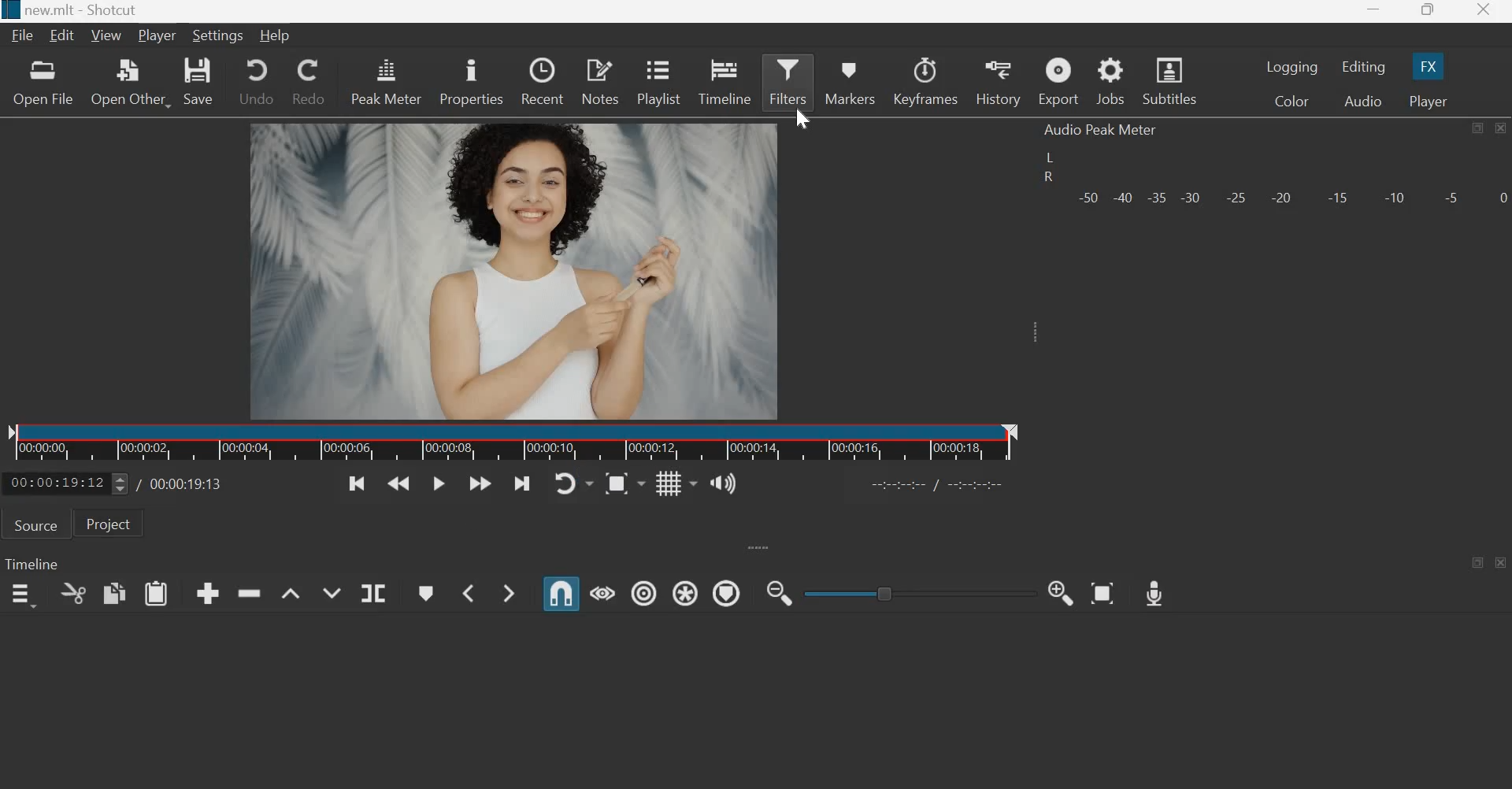  I want to click on notes, so click(600, 80).